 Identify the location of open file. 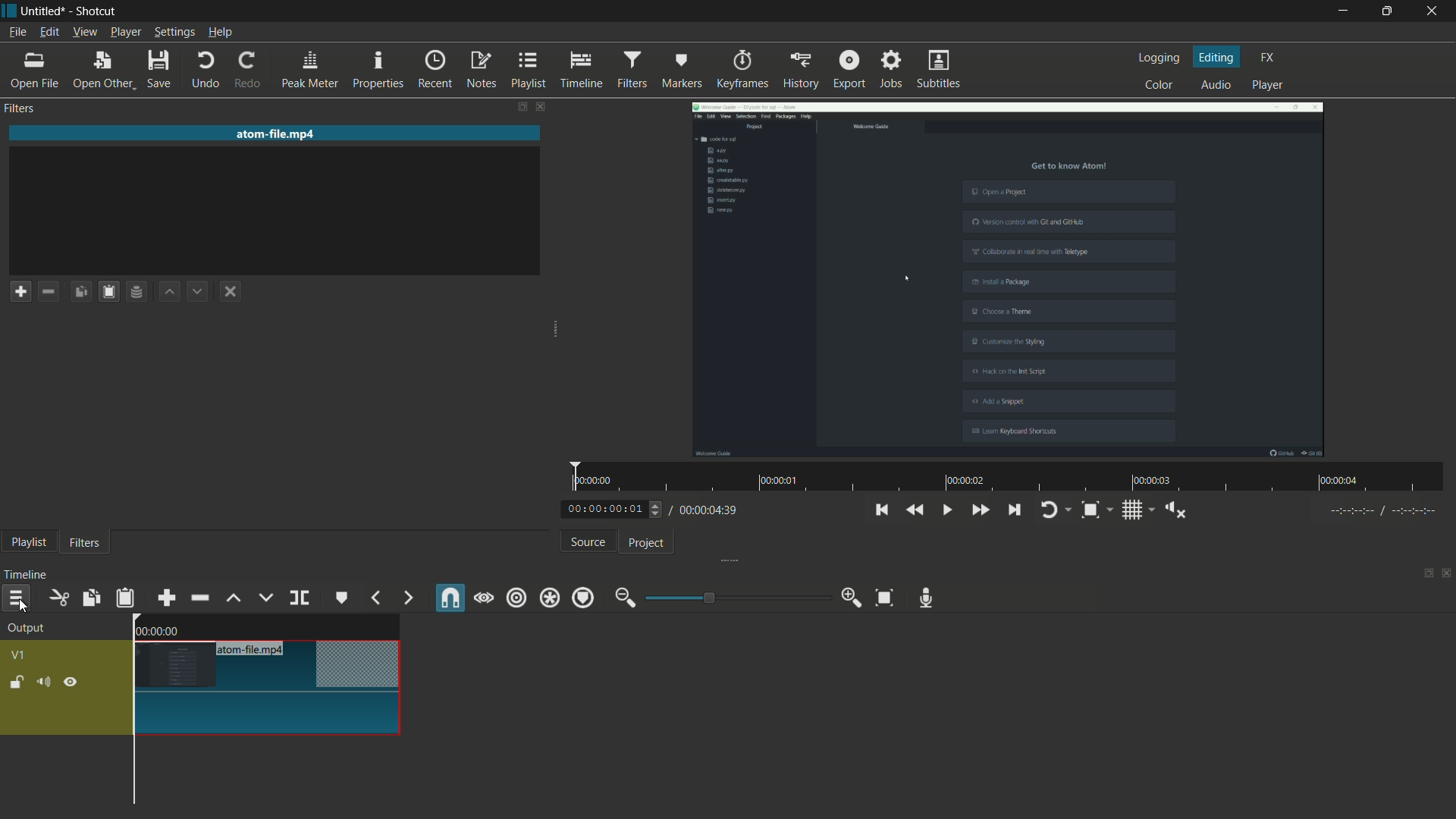
(31, 71).